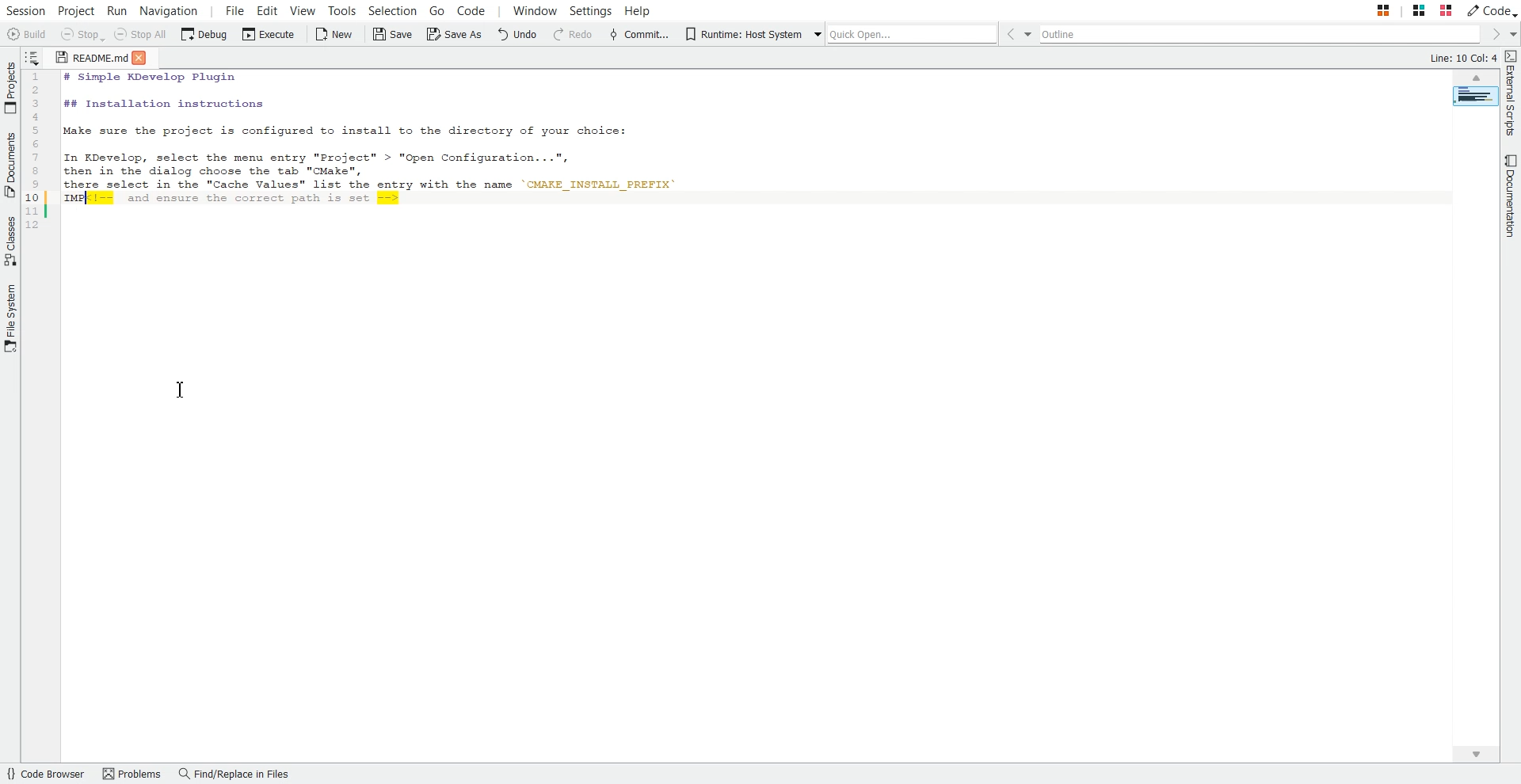 This screenshot has height=784, width=1521. What do you see at coordinates (517, 35) in the screenshot?
I see `Undo` at bounding box center [517, 35].